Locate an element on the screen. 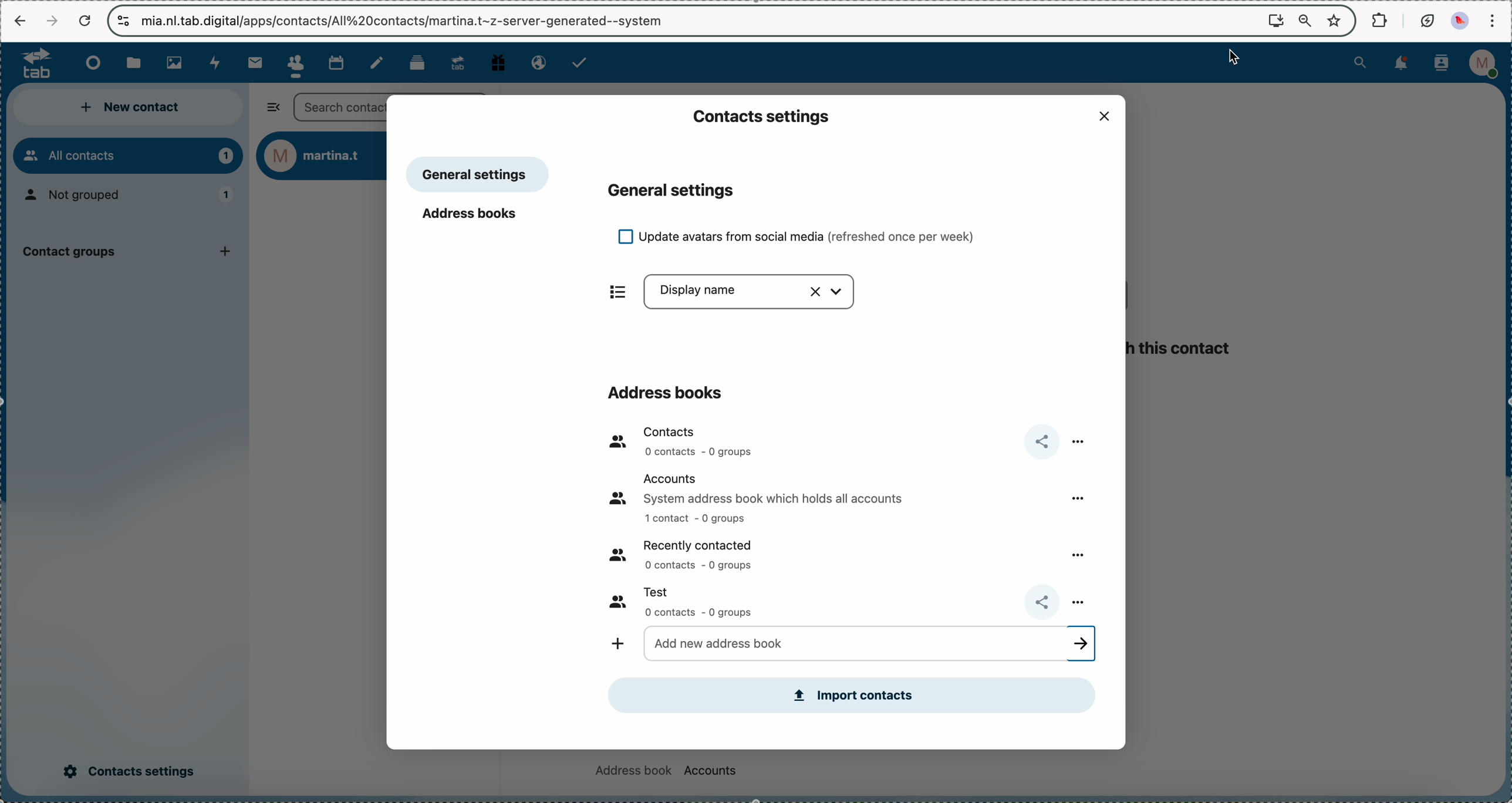  mail is located at coordinates (254, 63).